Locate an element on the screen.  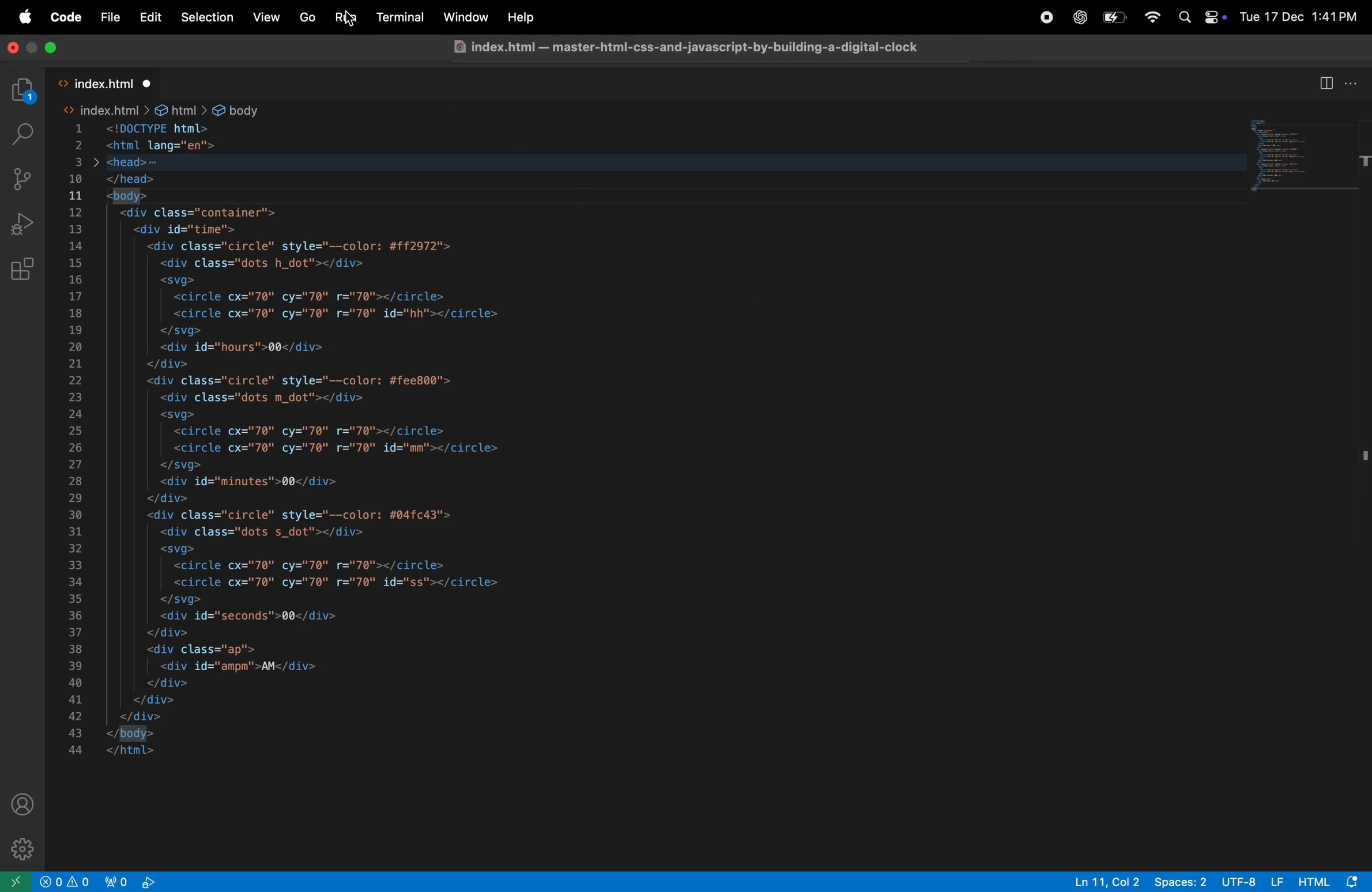
run is located at coordinates (344, 19).